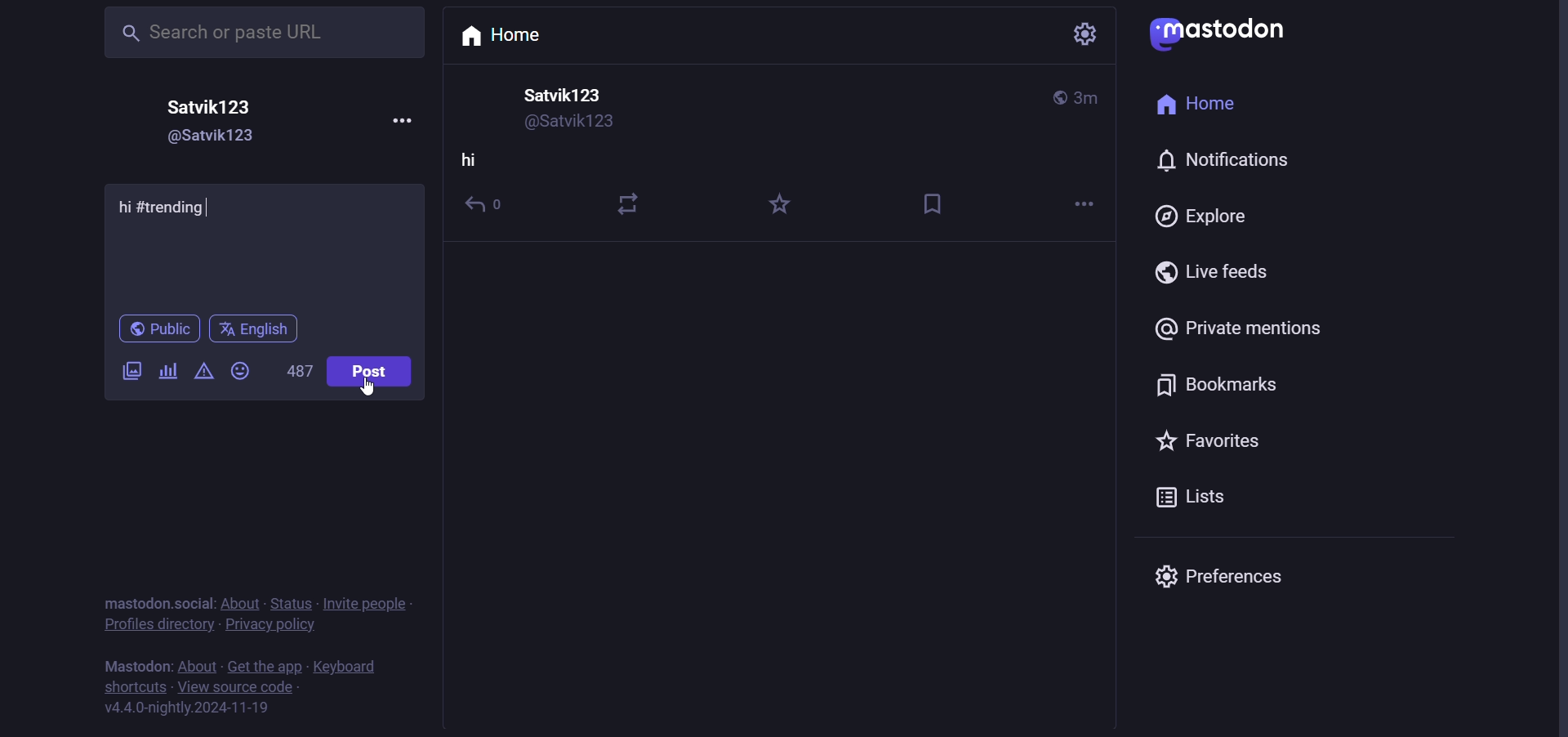 The width and height of the screenshot is (1568, 737). Describe the element at coordinates (273, 628) in the screenshot. I see `policy` at that location.